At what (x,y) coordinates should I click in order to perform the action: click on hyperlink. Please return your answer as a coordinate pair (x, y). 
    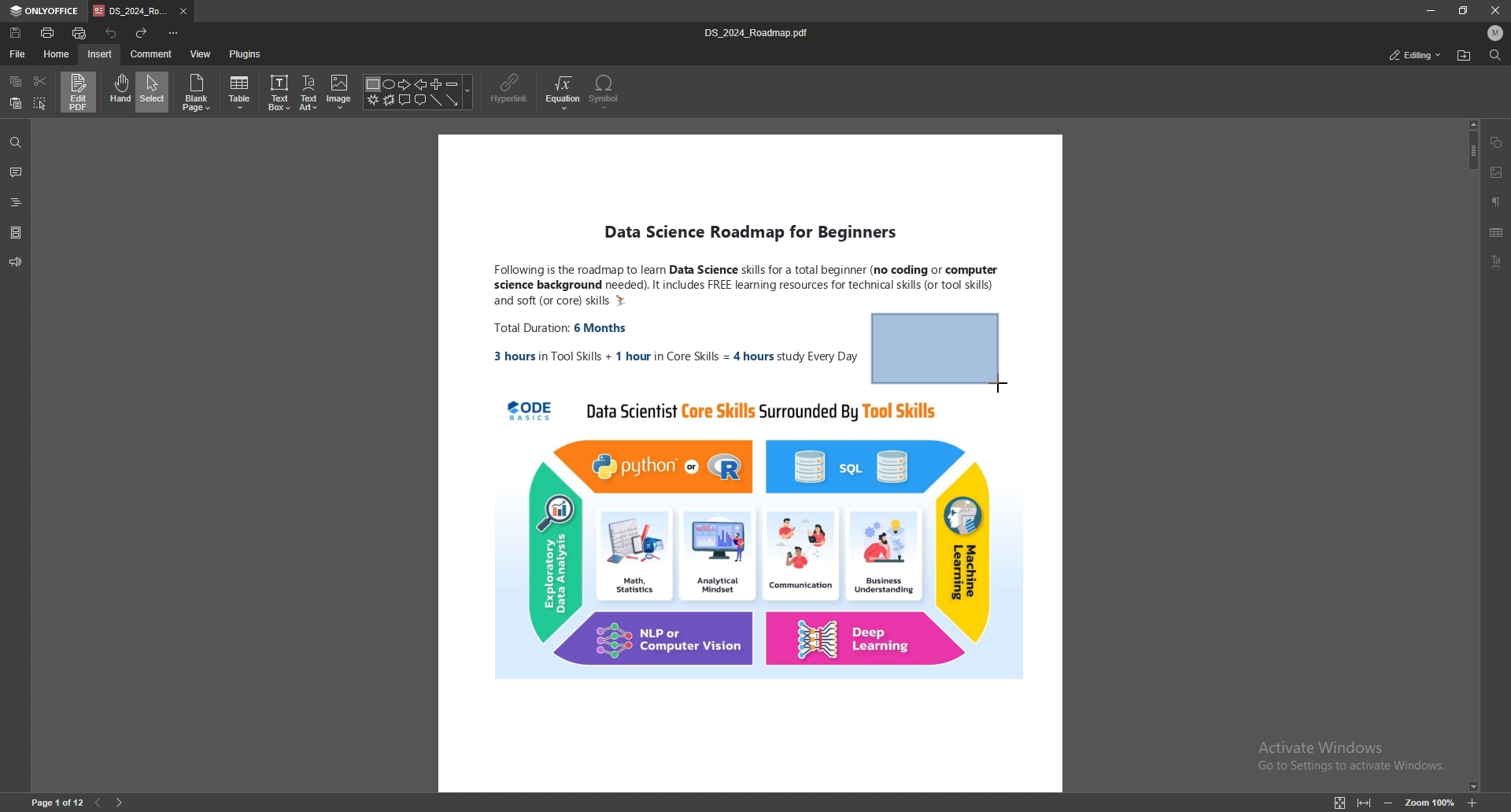
    Looking at the image, I should click on (512, 90).